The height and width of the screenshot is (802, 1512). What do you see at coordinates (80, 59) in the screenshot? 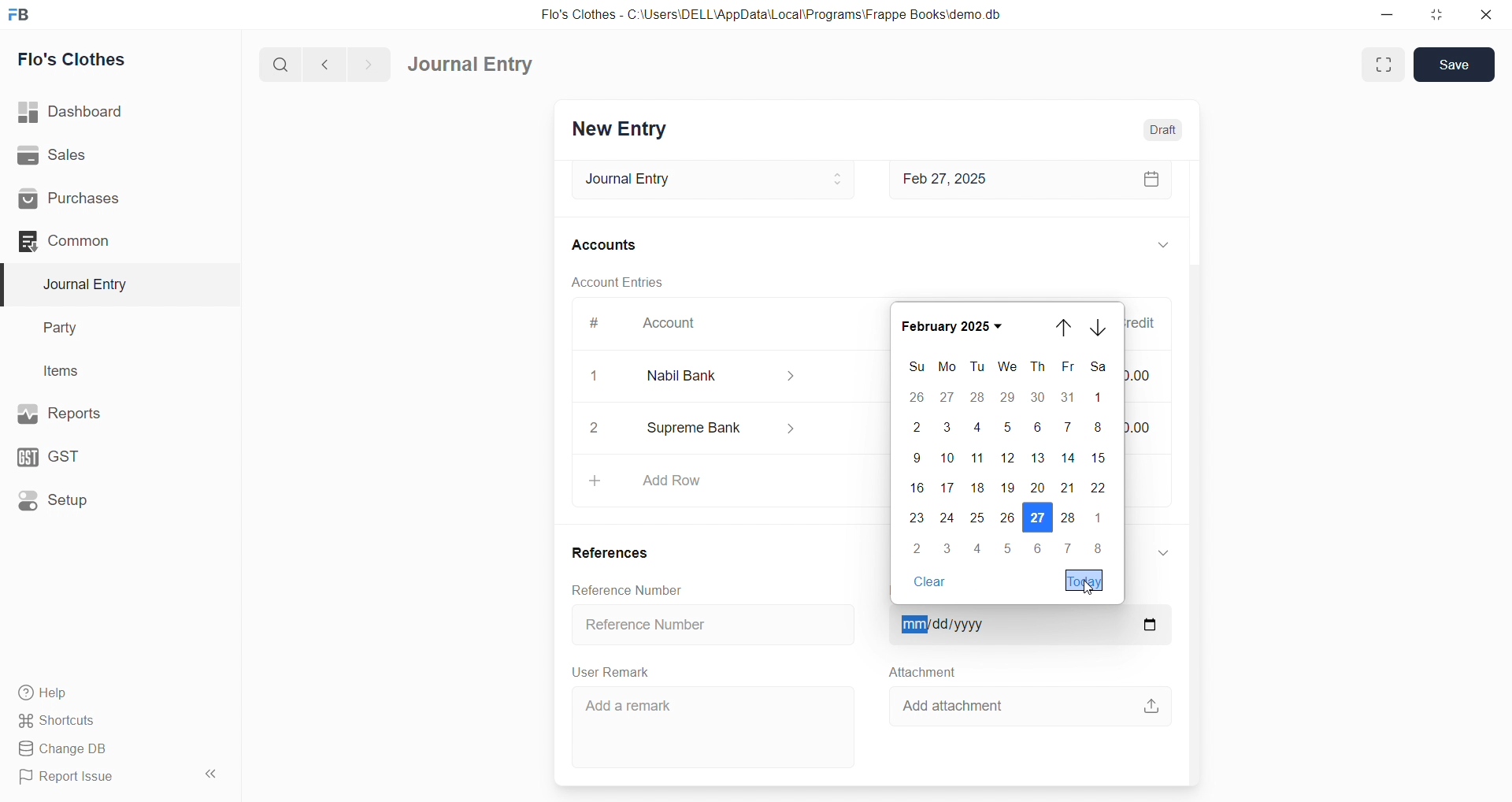
I see `Flo's Clothes` at bounding box center [80, 59].